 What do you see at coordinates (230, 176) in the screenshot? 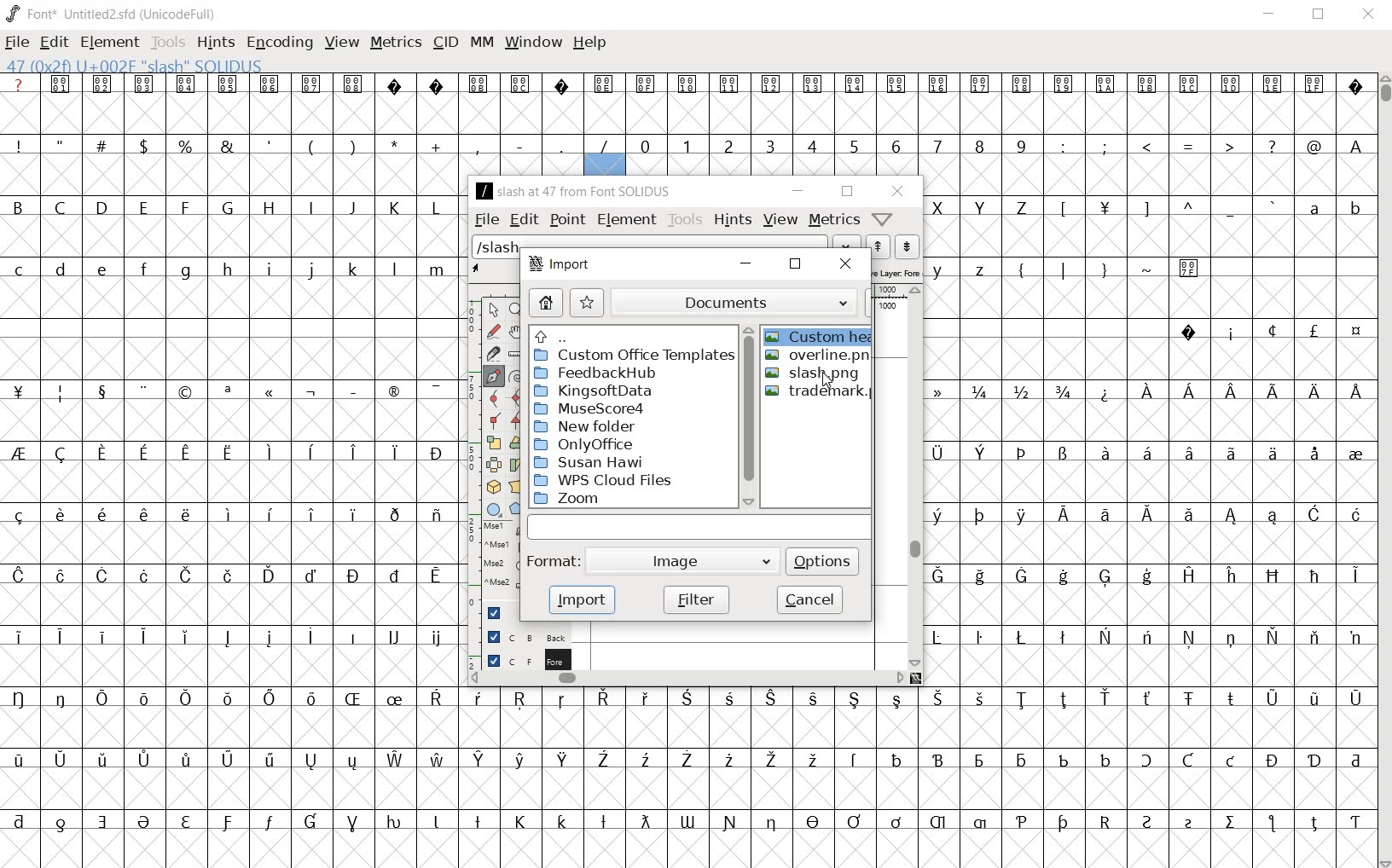
I see `empty cells` at bounding box center [230, 176].